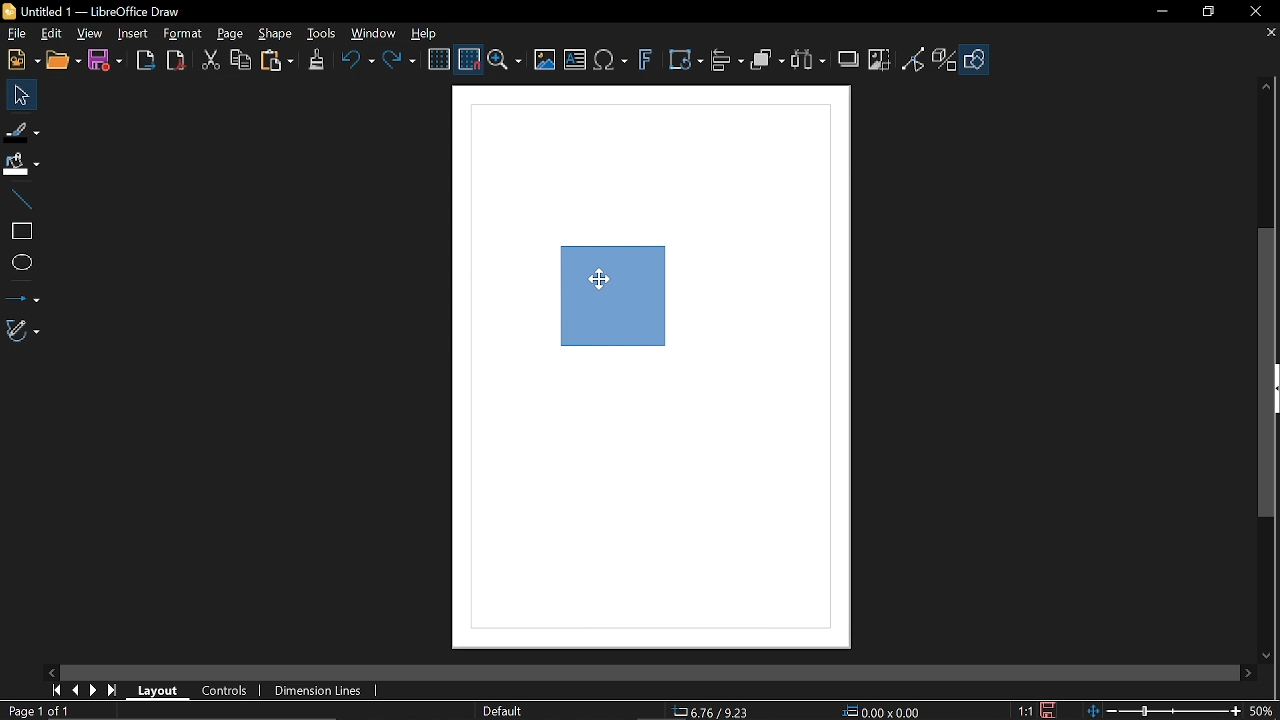 The image size is (1280, 720). I want to click on Ellipse, so click(20, 262).